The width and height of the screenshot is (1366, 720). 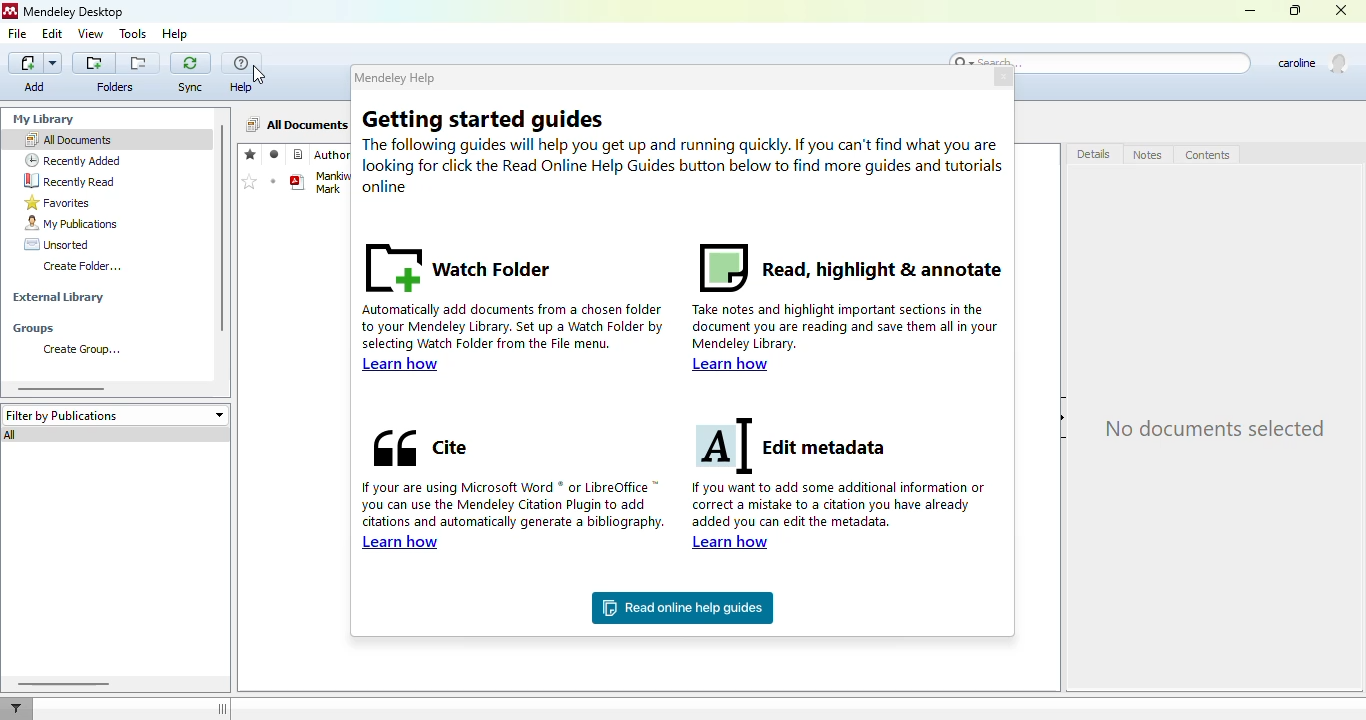 I want to click on reference type, so click(x=299, y=154).